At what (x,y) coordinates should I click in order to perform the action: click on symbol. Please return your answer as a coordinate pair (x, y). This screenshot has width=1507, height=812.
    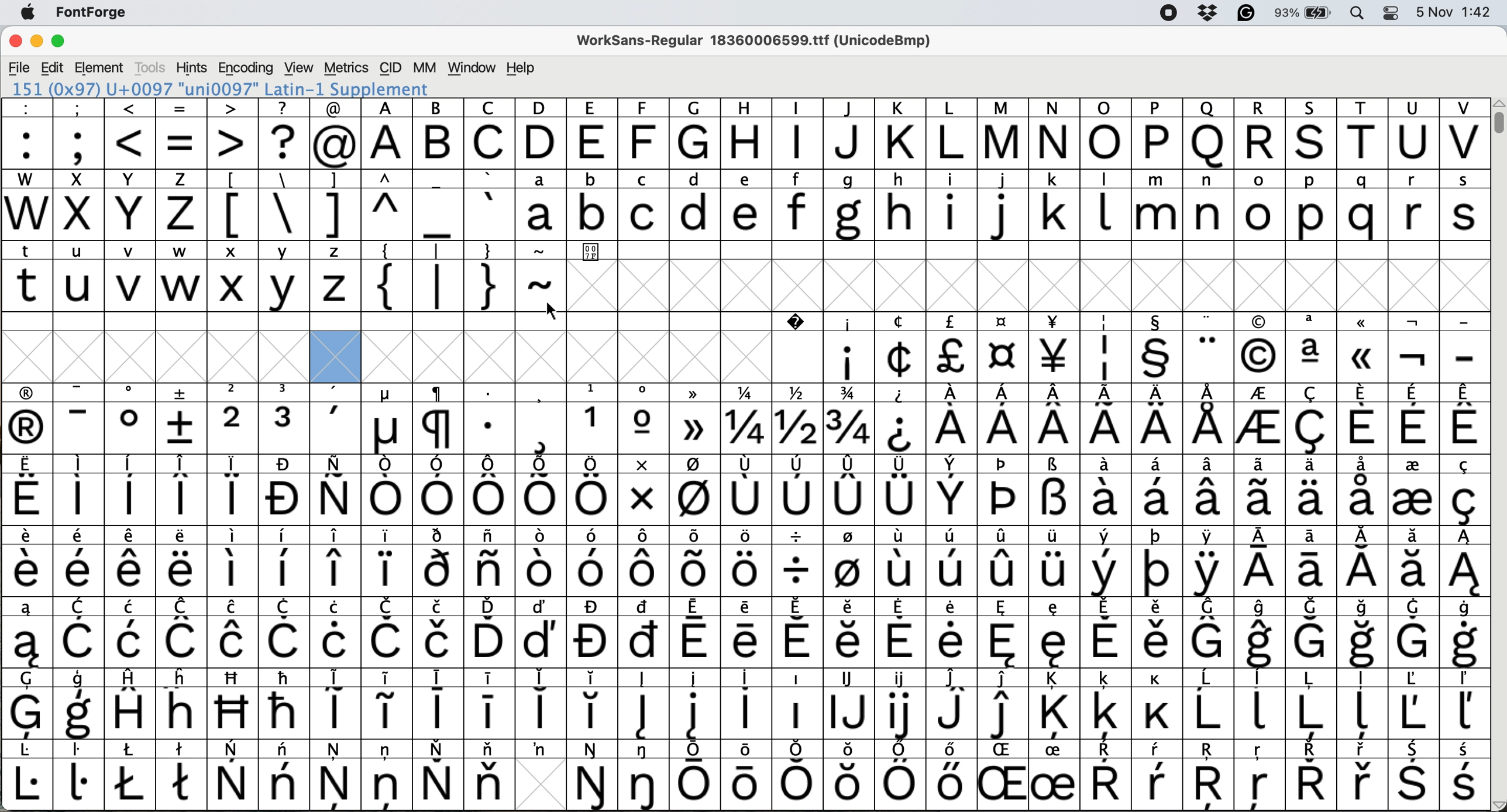
    Looking at the image, I should click on (439, 703).